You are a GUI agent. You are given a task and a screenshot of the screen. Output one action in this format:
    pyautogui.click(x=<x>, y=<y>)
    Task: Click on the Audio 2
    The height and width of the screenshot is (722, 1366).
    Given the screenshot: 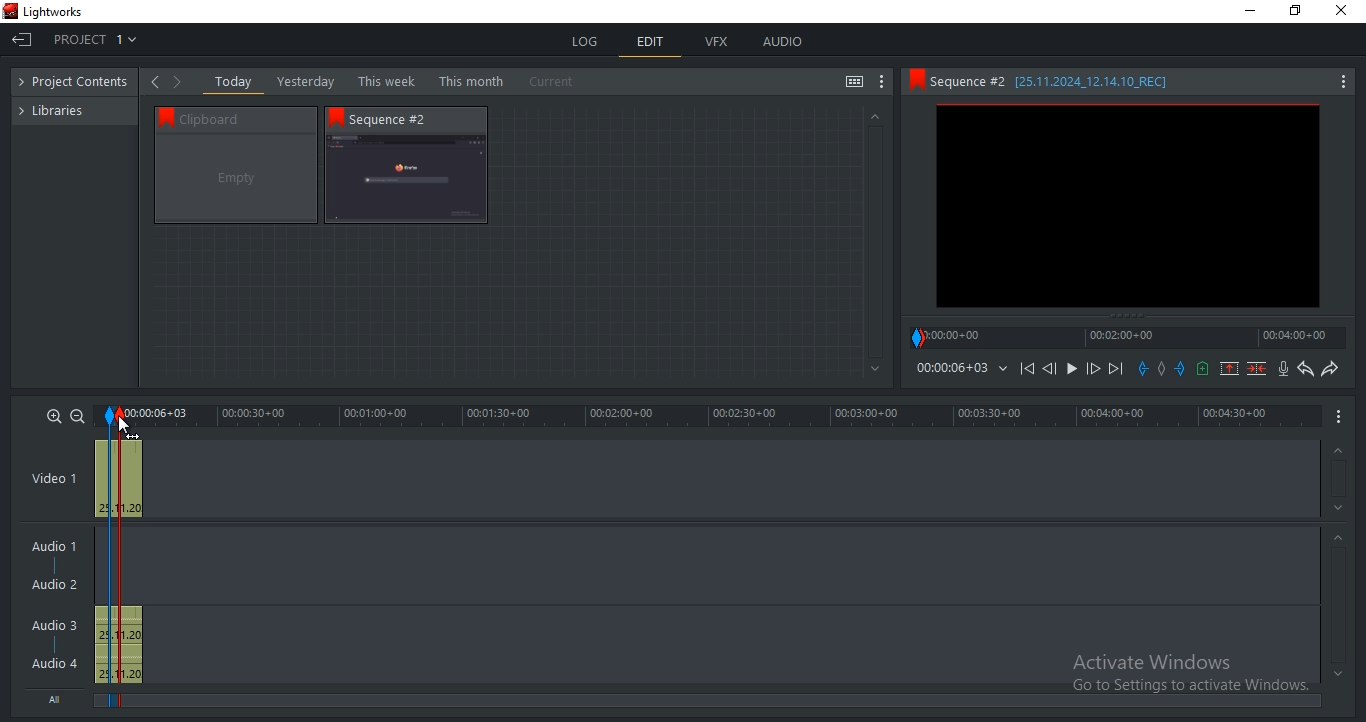 What is the action you would take?
    pyautogui.click(x=54, y=585)
    